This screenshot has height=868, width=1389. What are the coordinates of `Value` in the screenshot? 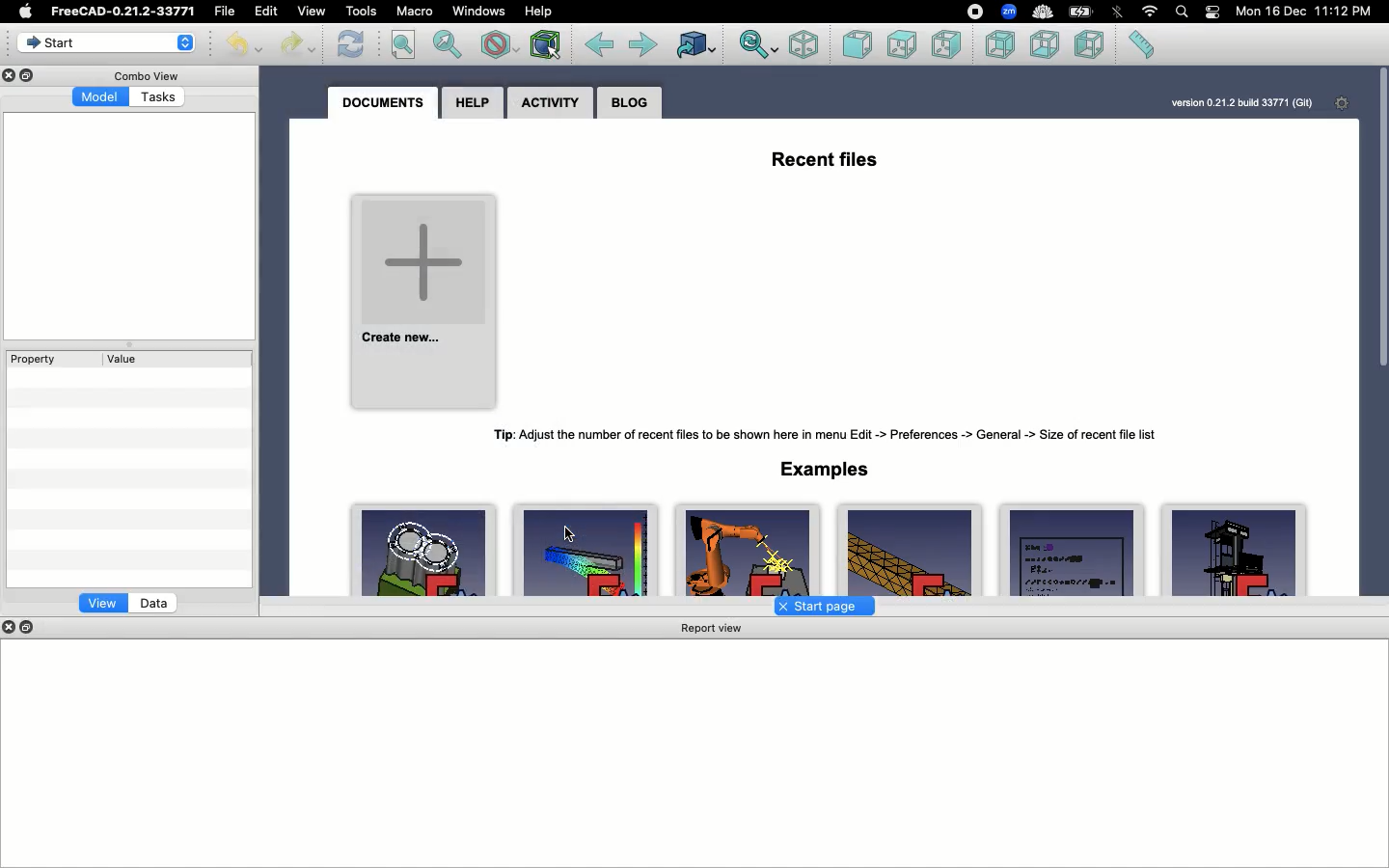 It's located at (122, 356).